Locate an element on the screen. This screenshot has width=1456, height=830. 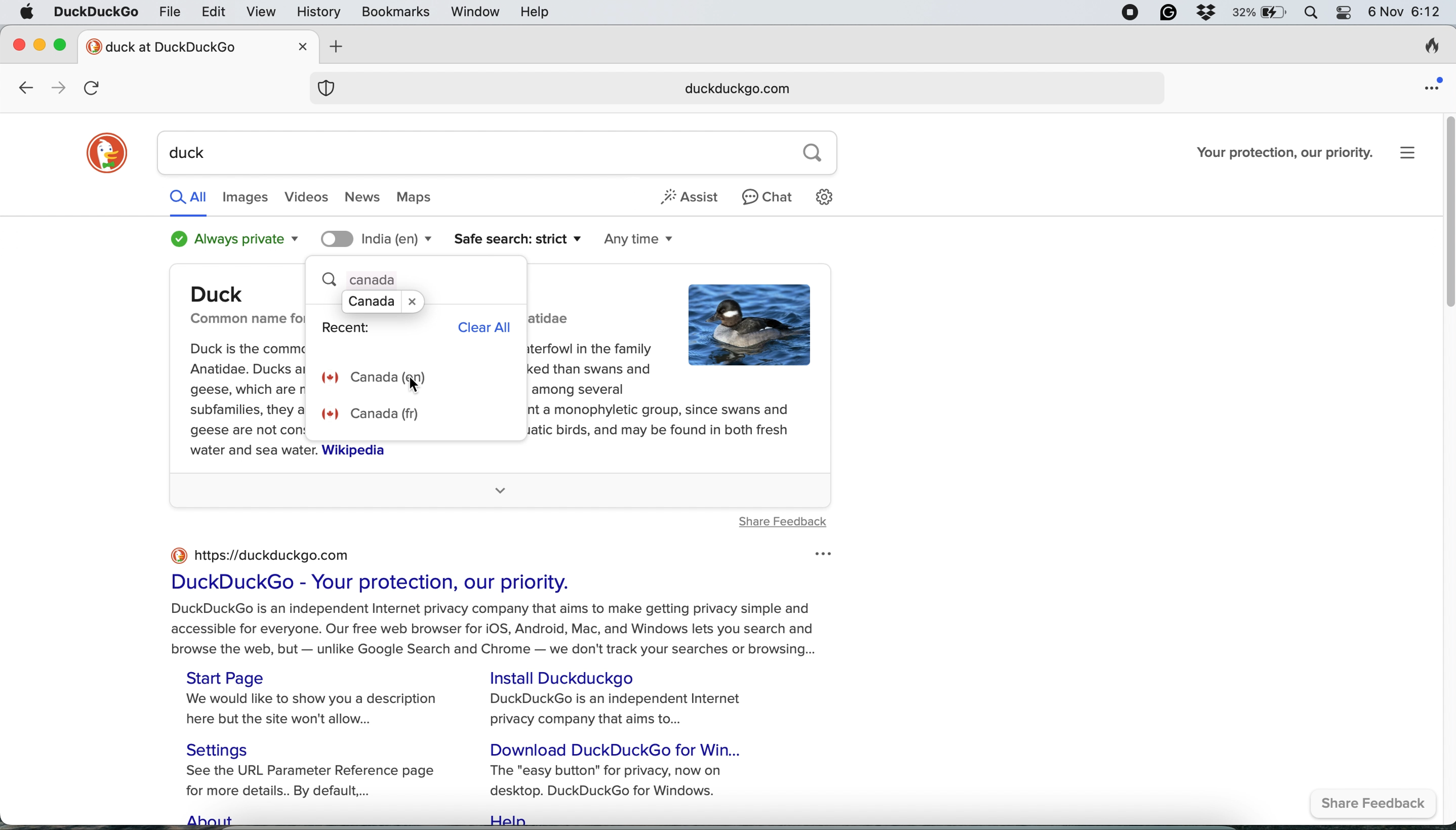
refresh is located at coordinates (96, 88).